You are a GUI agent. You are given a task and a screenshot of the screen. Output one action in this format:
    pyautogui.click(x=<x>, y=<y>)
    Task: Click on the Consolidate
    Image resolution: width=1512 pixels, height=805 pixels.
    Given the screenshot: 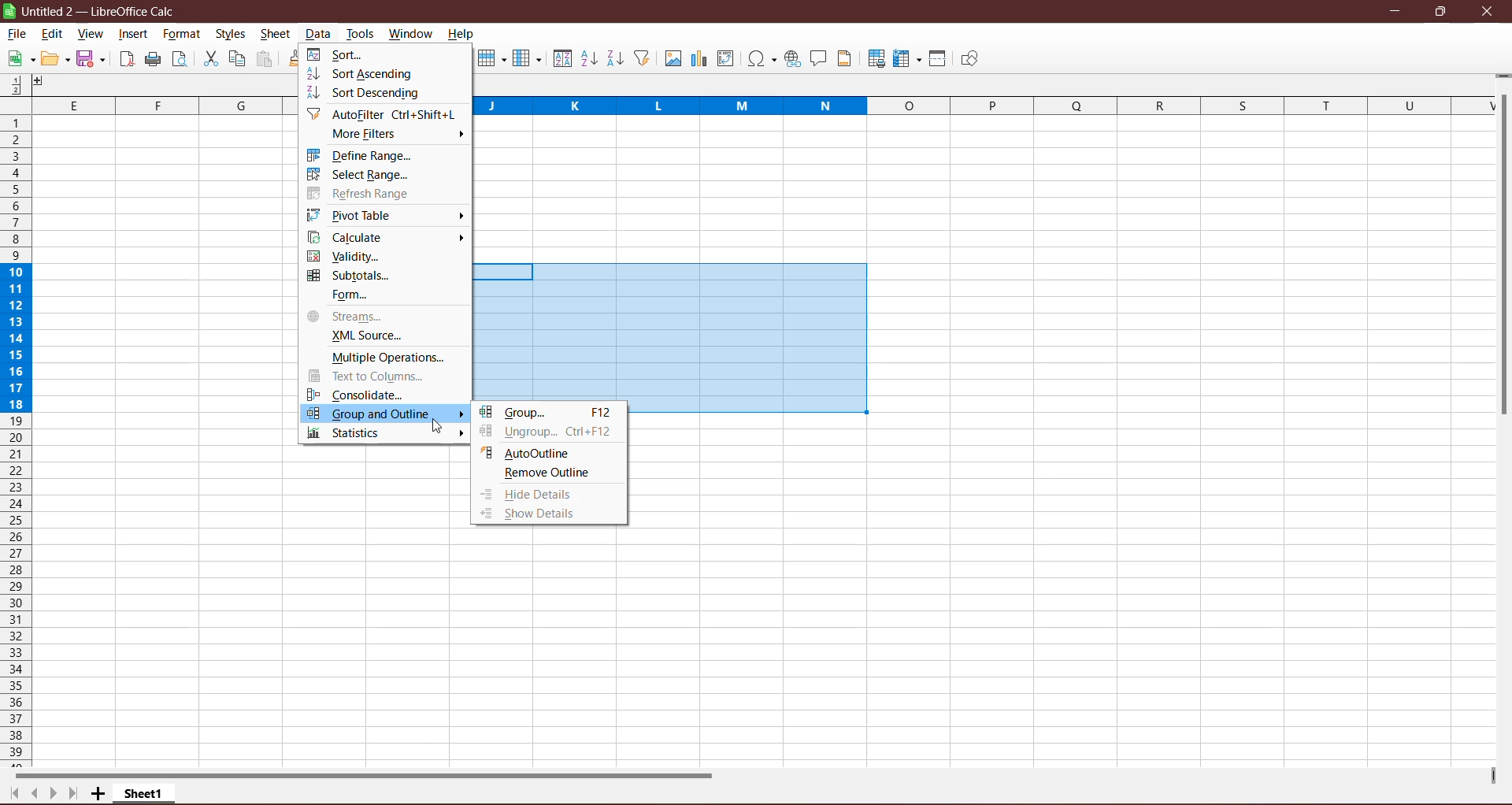 What is the action you would take?
    pyautogui.click(x=357, y=393)
    